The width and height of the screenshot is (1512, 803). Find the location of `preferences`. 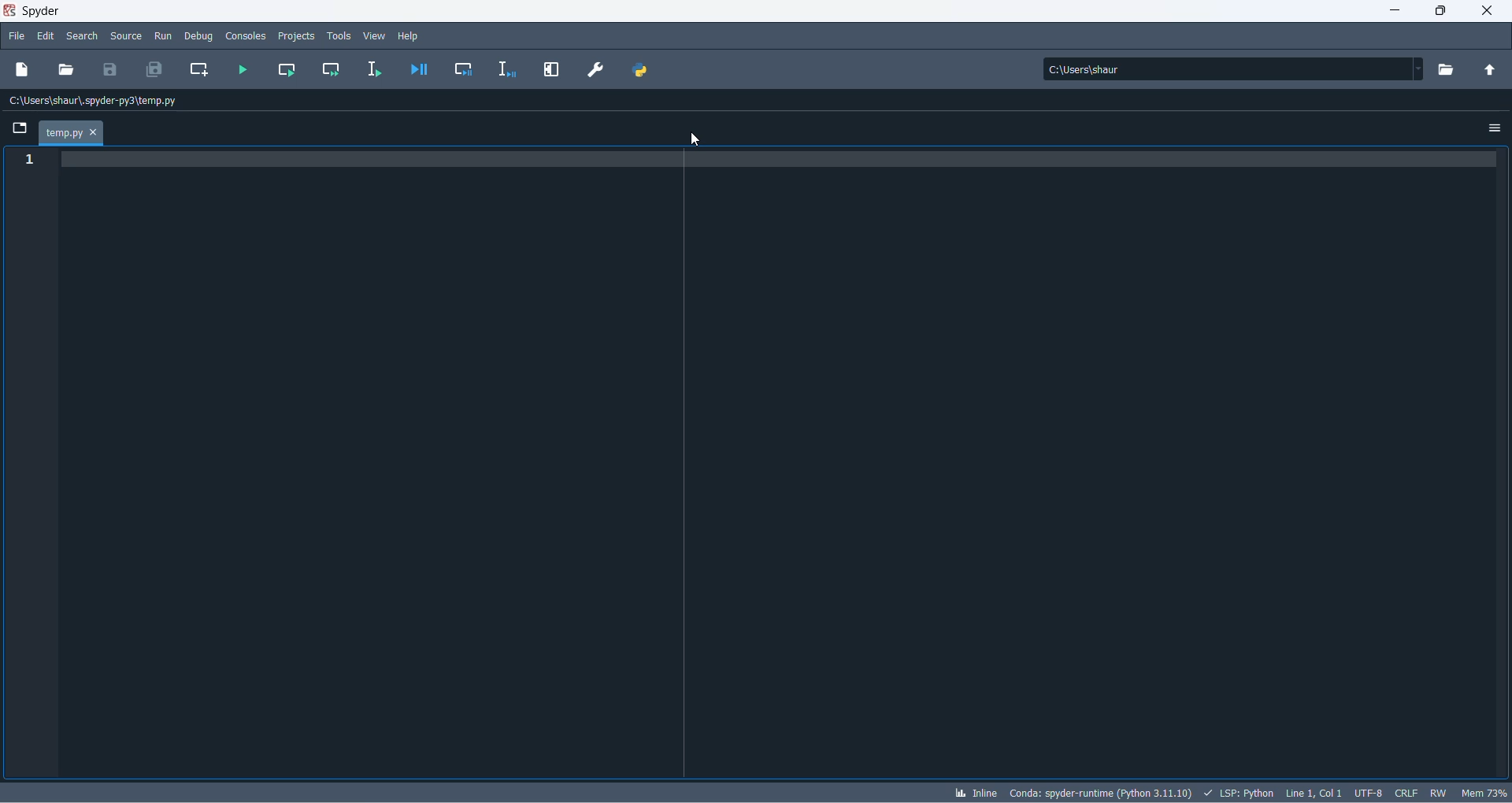

preferences is located at coordinates (597, 69).